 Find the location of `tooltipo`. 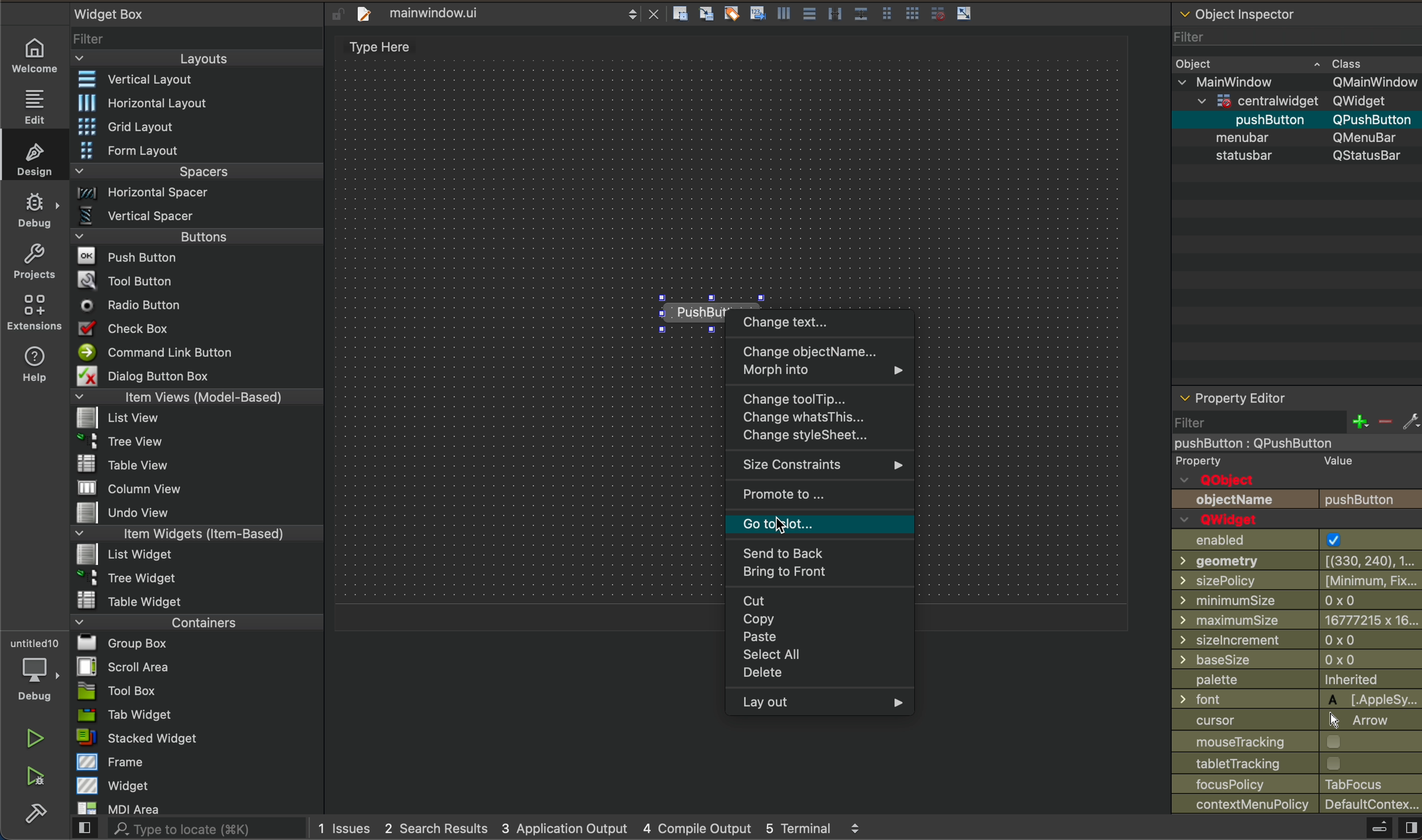

tooltipo is located at coordinates (824, 398).